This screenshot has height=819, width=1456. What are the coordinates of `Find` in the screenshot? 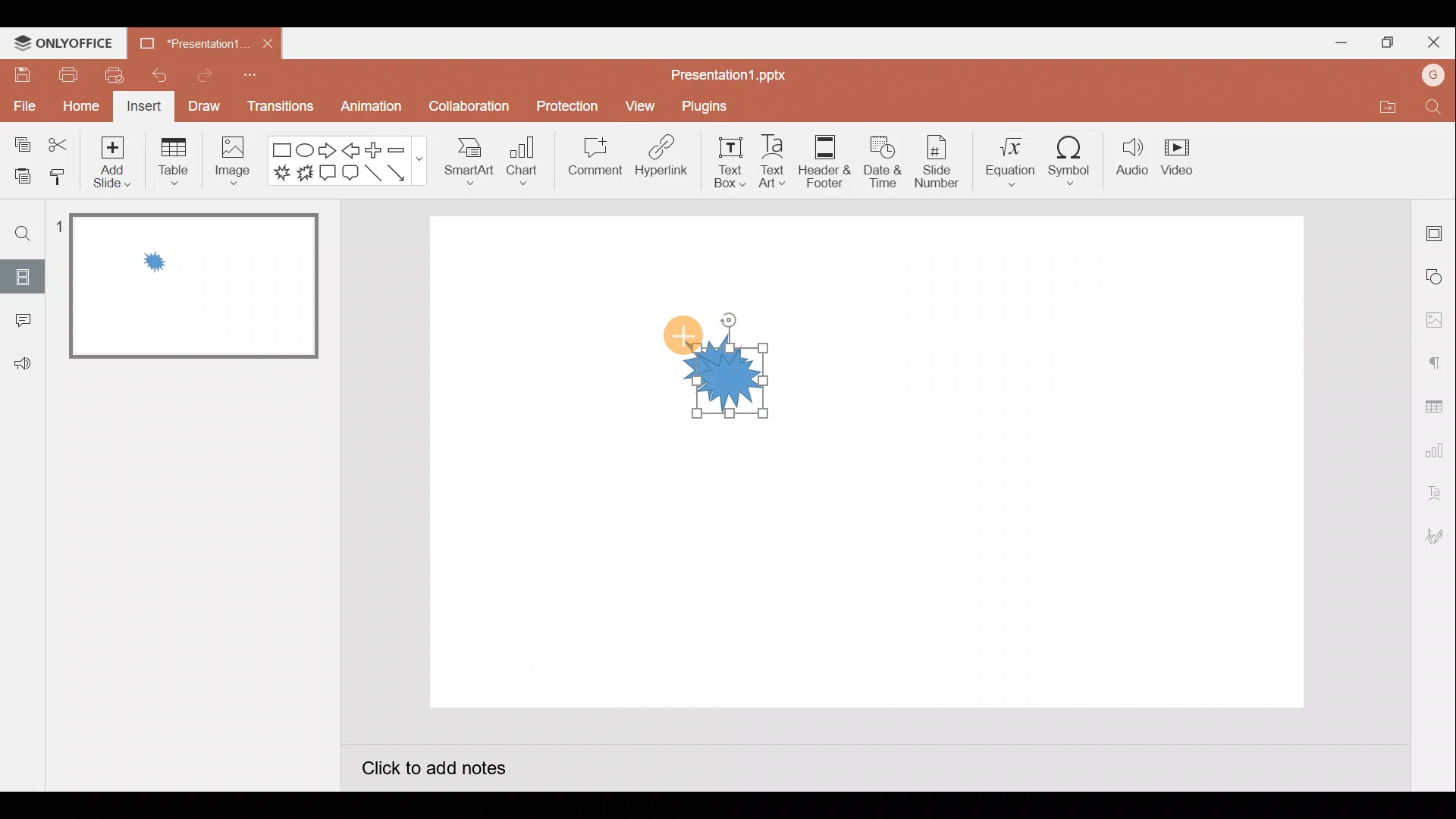 It's located at (1438, 108).